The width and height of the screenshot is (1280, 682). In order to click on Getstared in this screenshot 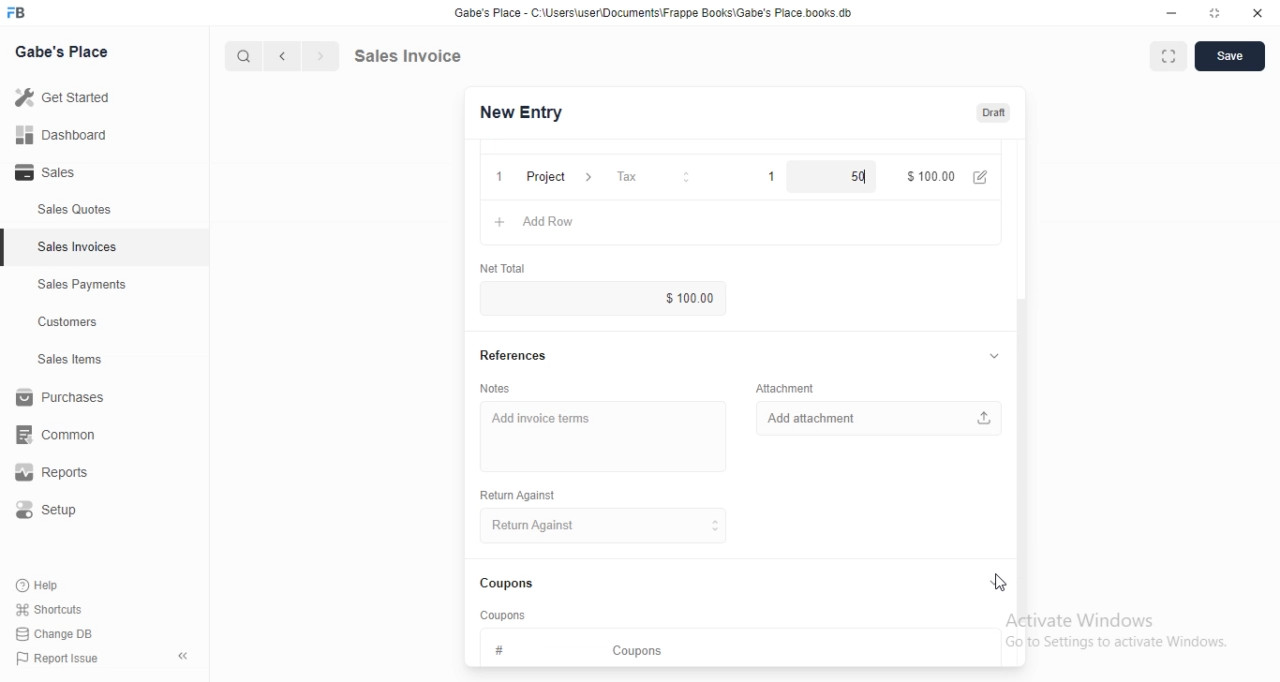, I will do `click(68, 99)`.